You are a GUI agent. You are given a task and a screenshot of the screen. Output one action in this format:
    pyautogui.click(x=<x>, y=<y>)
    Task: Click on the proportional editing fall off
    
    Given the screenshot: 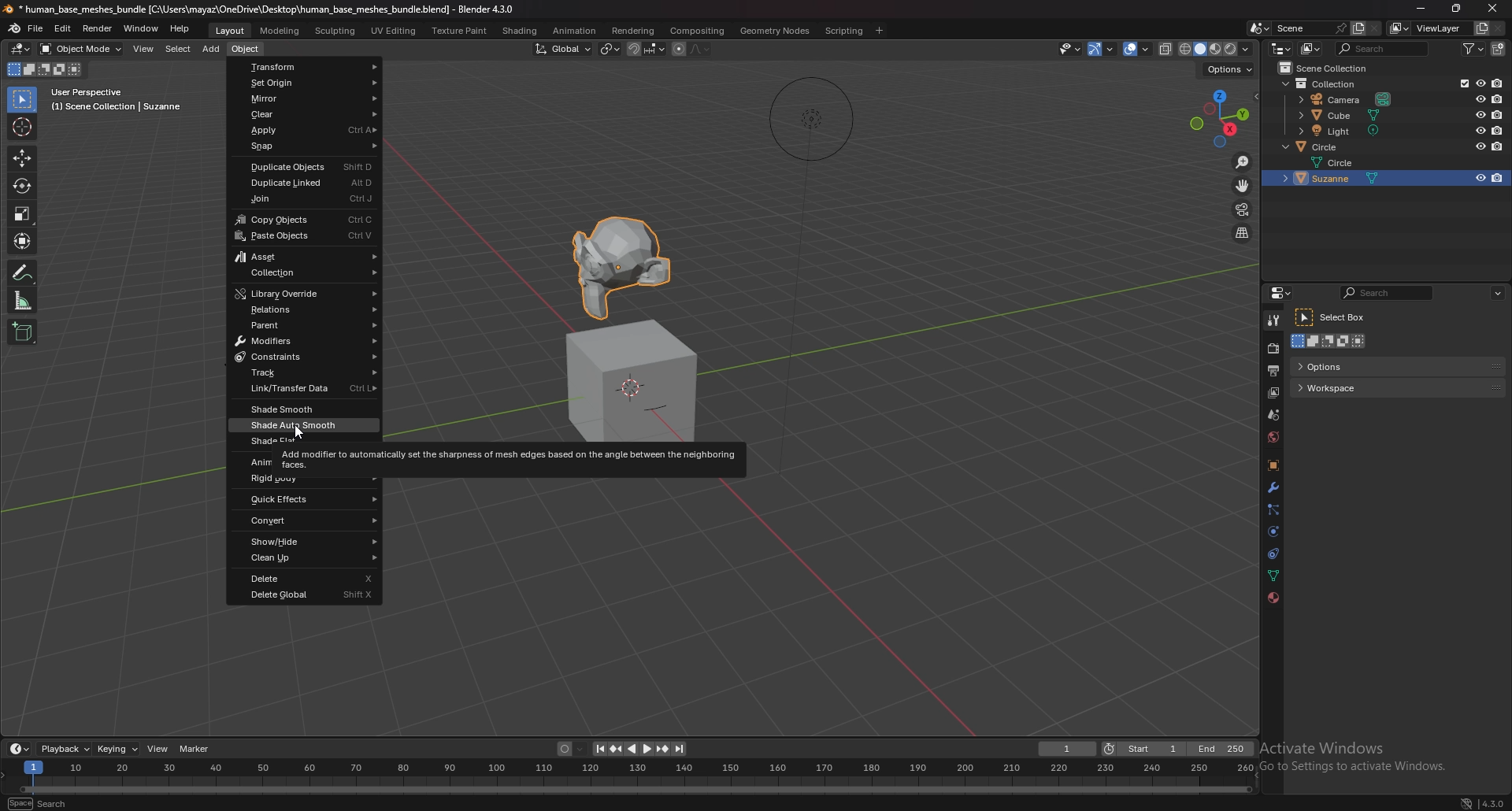 What is the action you would take?
    pyautogui.click(x=702, y=50)
    